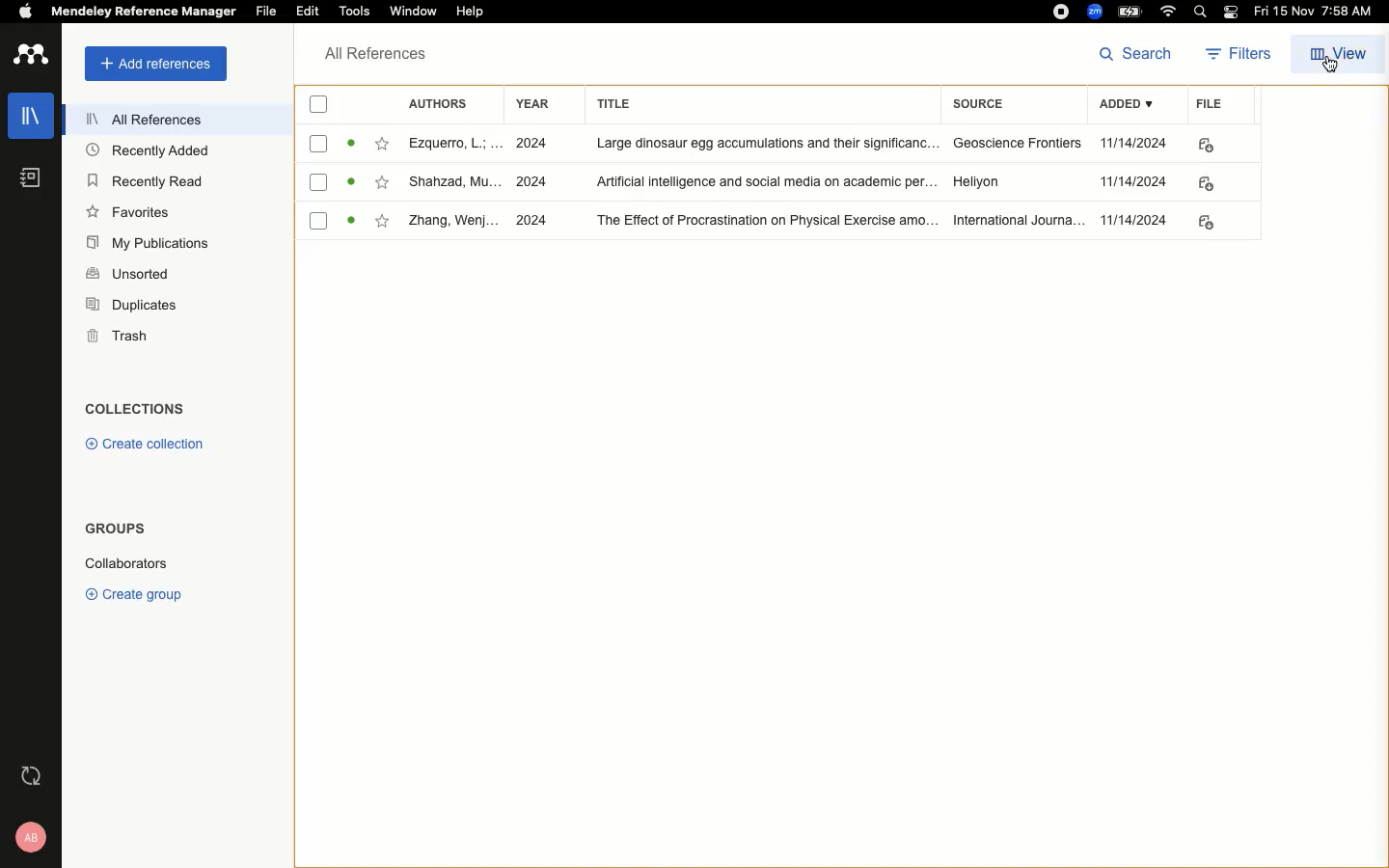 The height and width of the screenshot is (868, 1389). Describe the element at coordinates (533, 180) in the screenshot. I see `2024` at that location.